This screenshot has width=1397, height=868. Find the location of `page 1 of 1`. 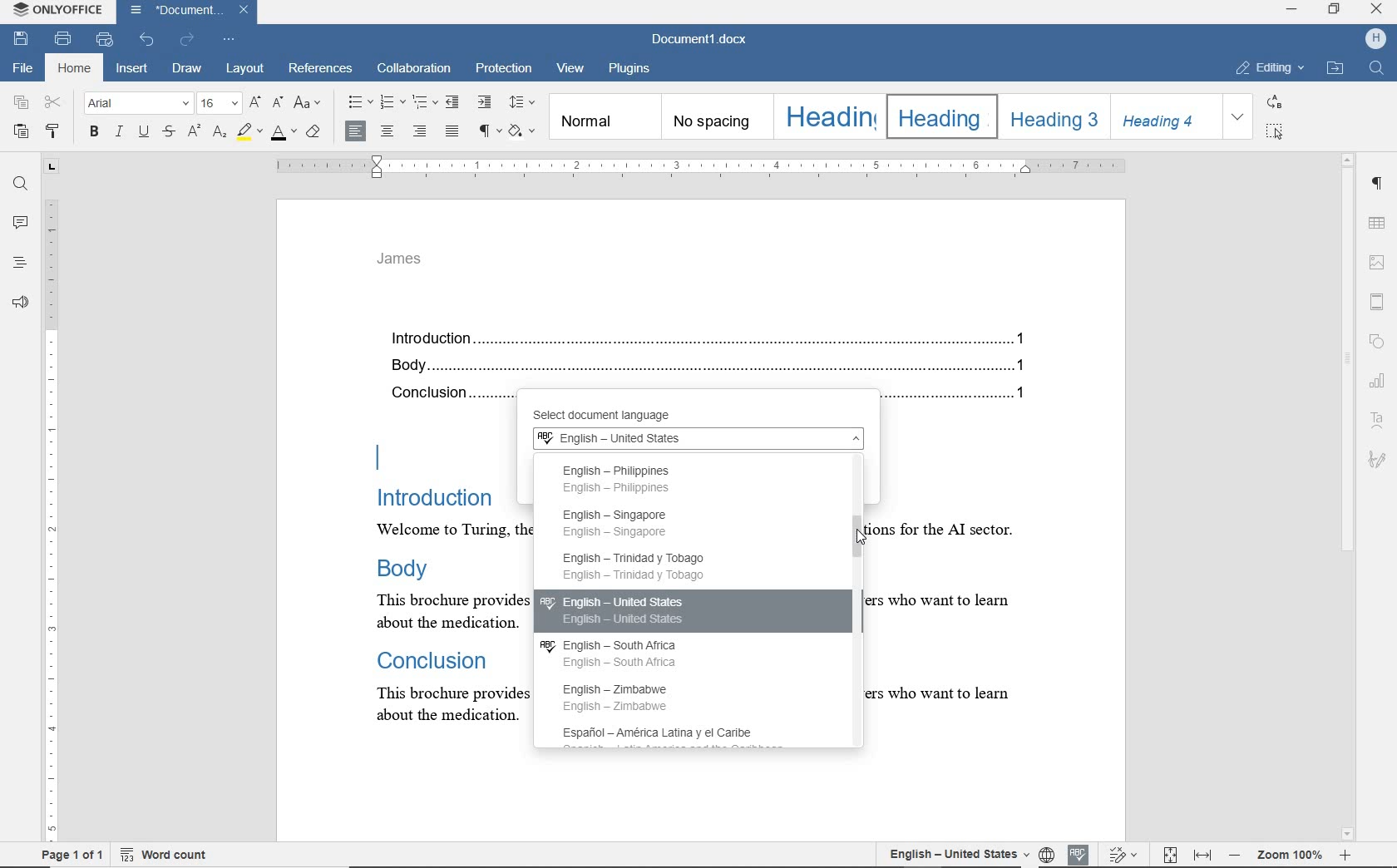

page 1 of 1 is located at coordinates (70, 856).